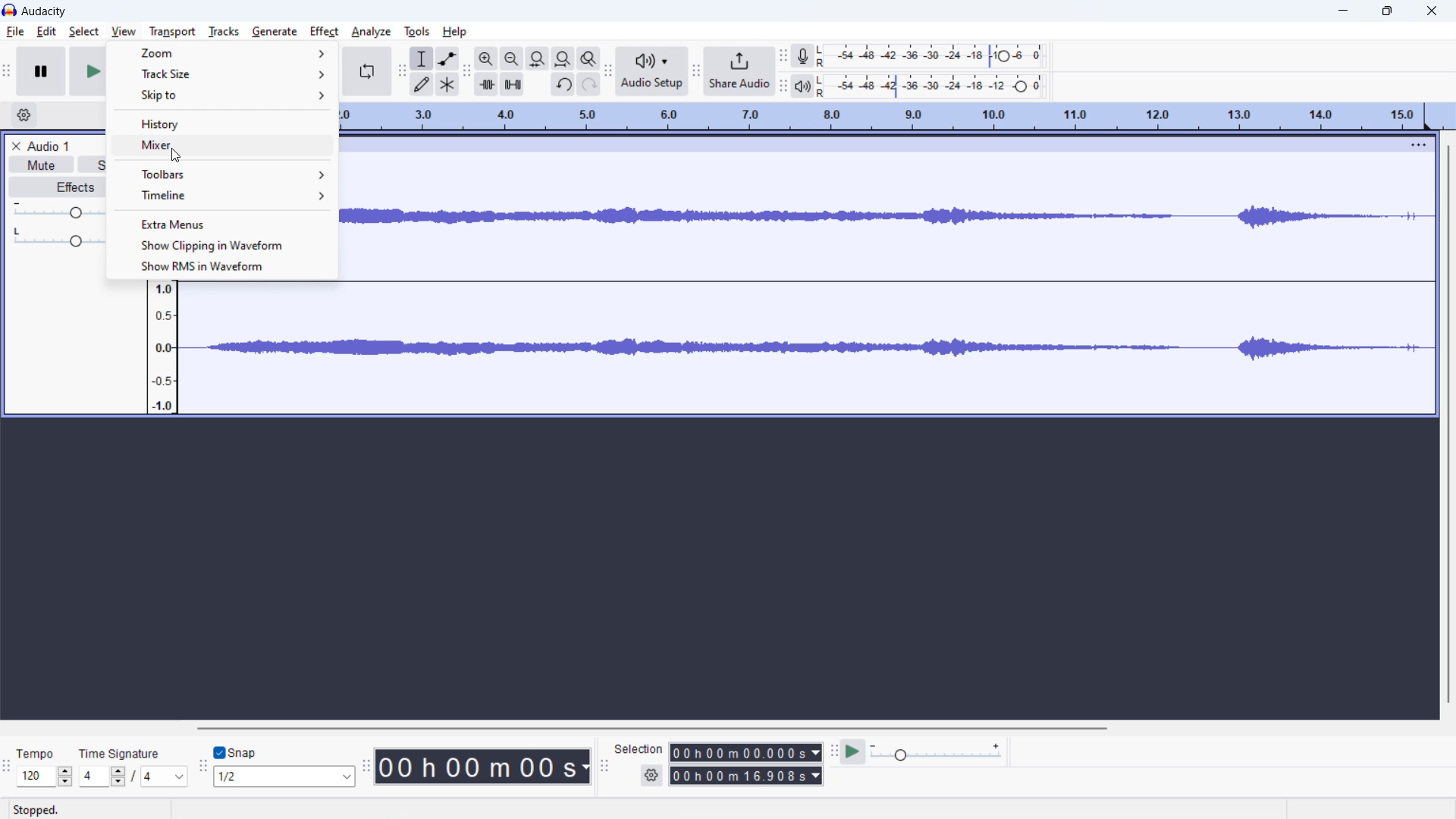  Describe the element at coordinates (421, 58) in the screenshot. I see `selection tool` at that location.